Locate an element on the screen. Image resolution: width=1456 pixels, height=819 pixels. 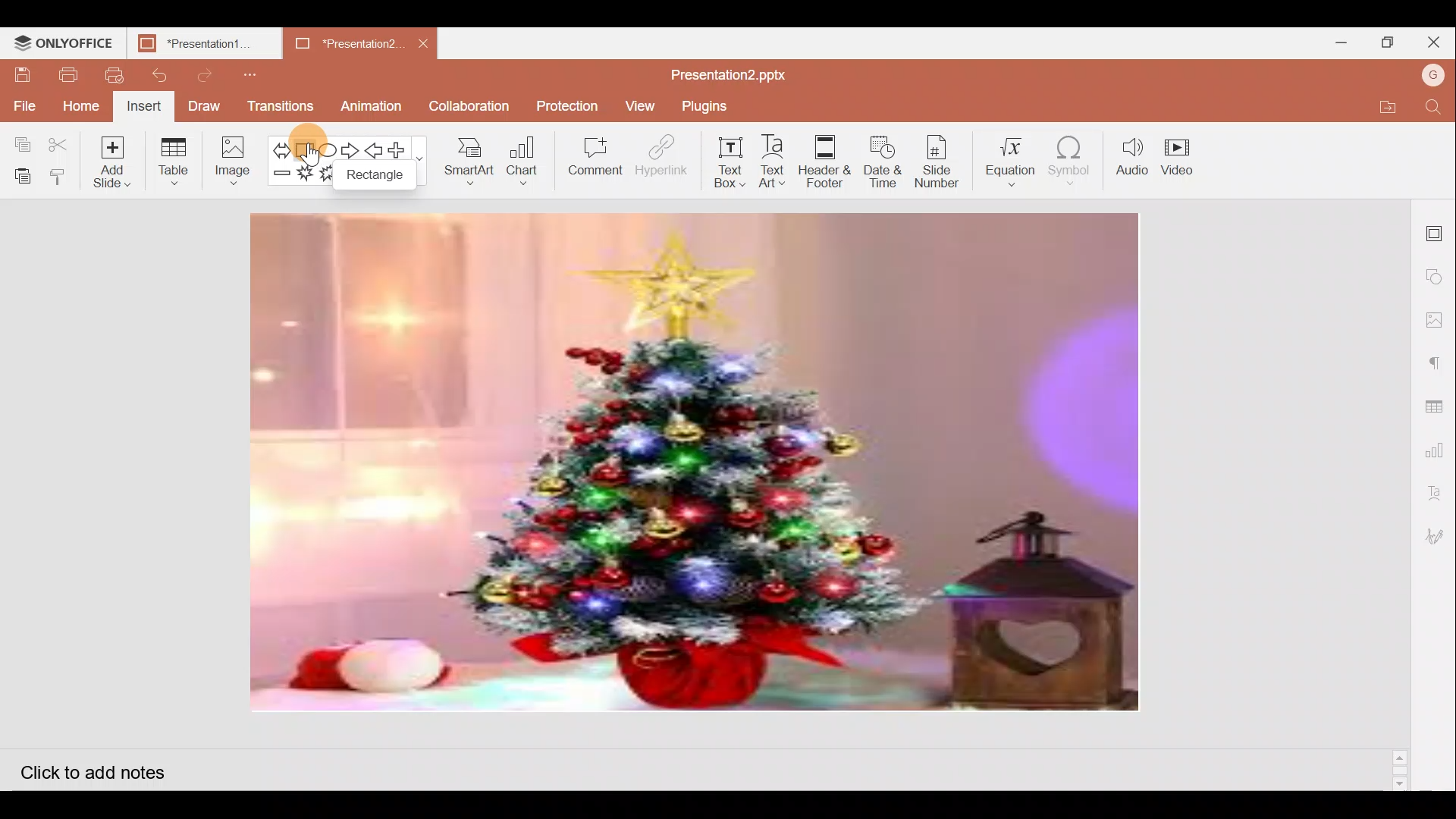
Collaboration is located at coordinates (470, 106).